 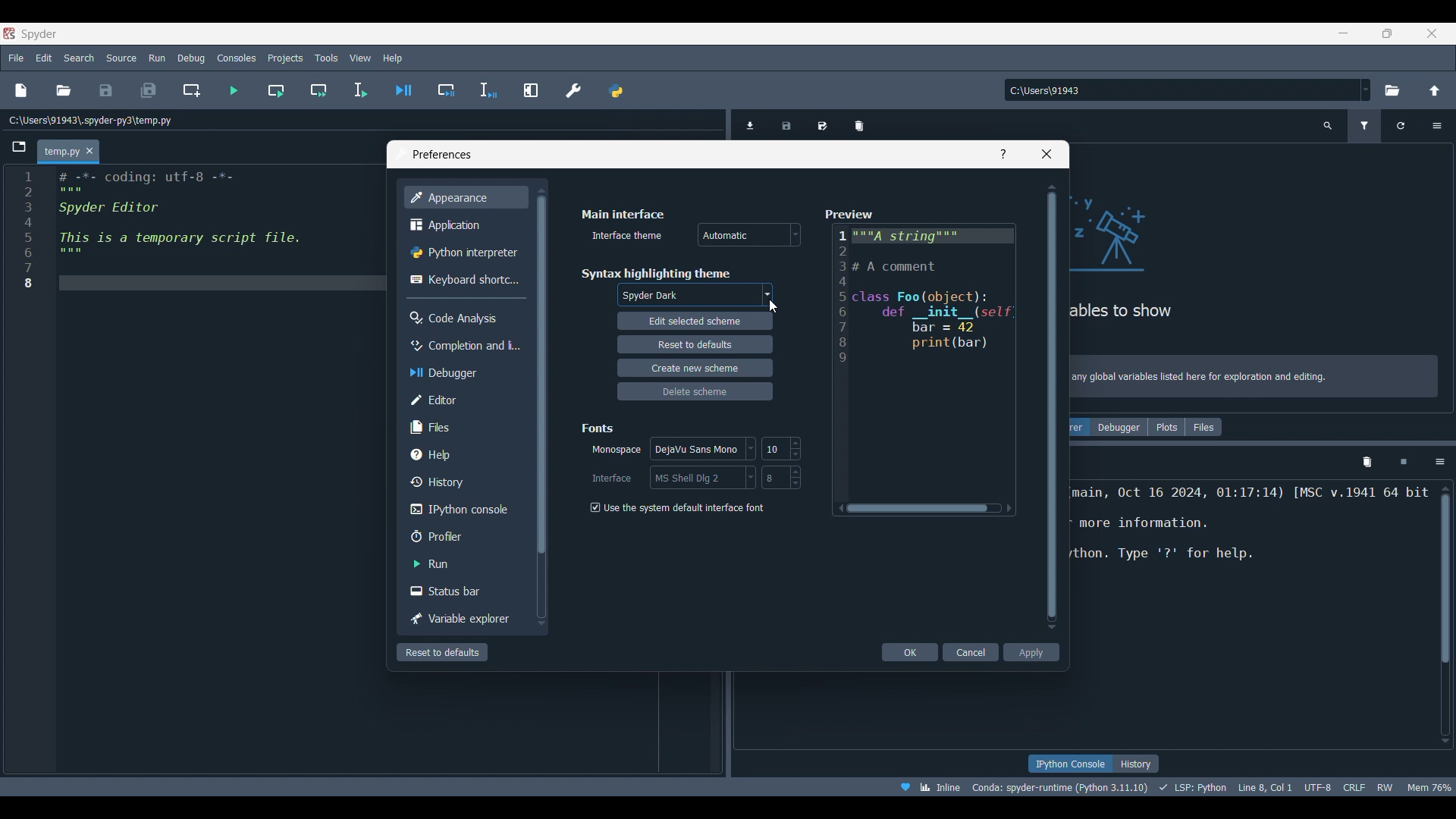 What do you see at coordinates (1137, 764) in the screenshot?
I see `History` at bounding box center [1137, 764].